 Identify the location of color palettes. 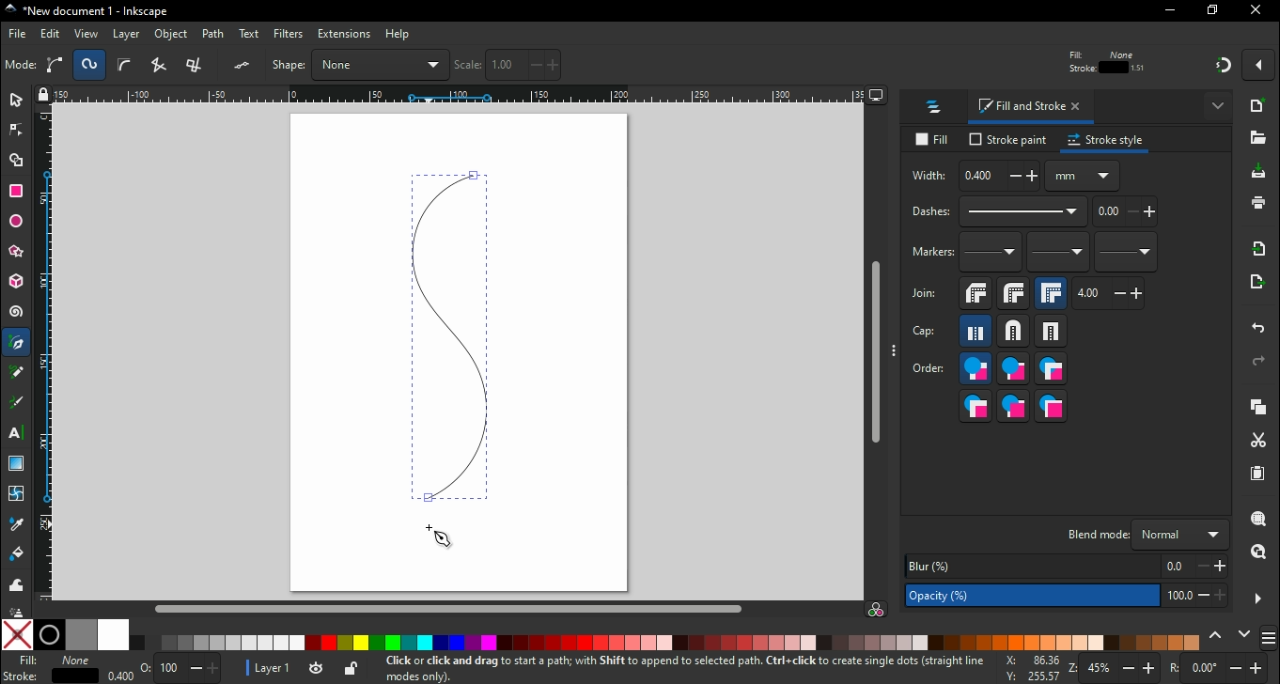
(1270, 636).